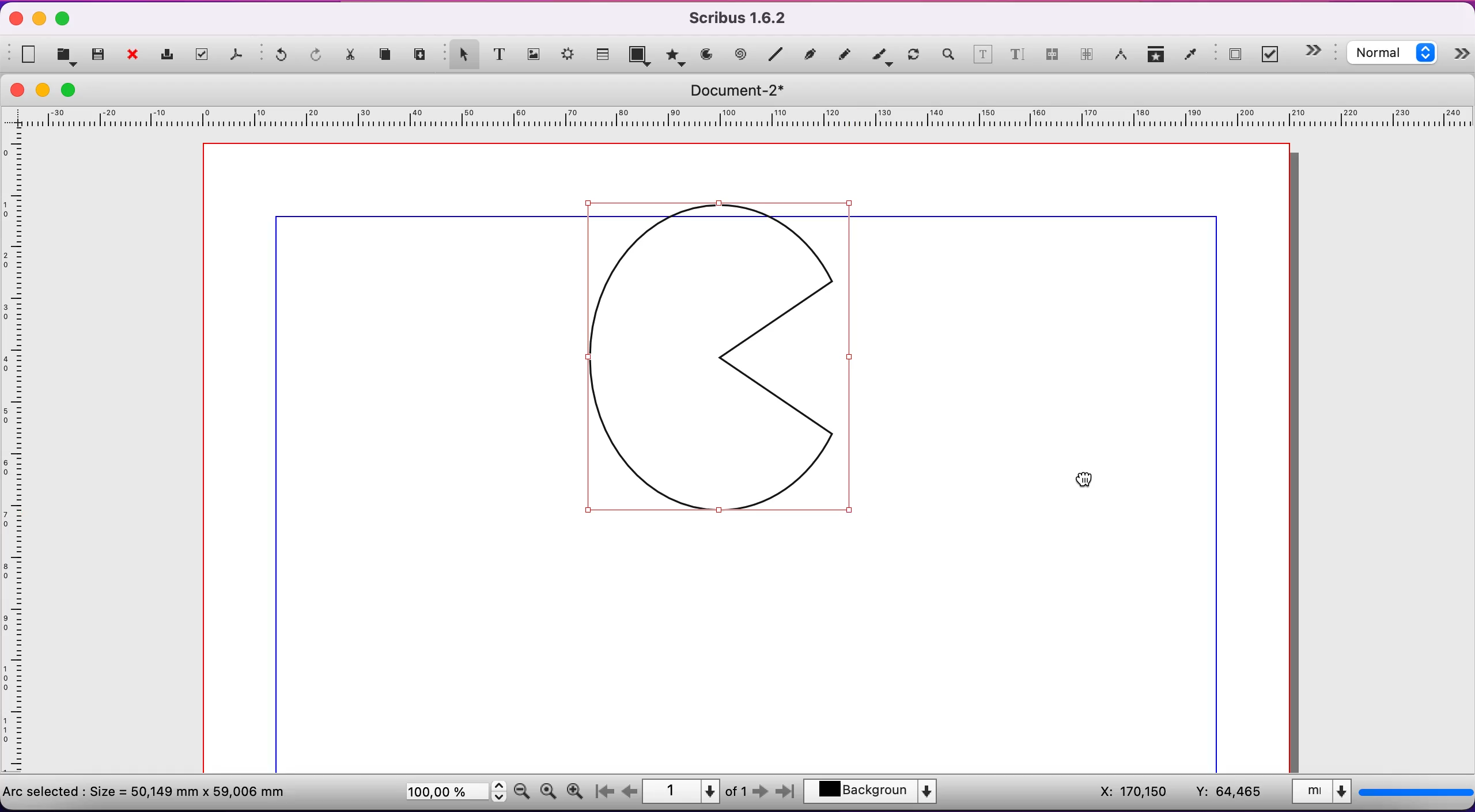 This screenshot has height=812, width=1475. I want to click on select image preview quality, so click(1395, 55).